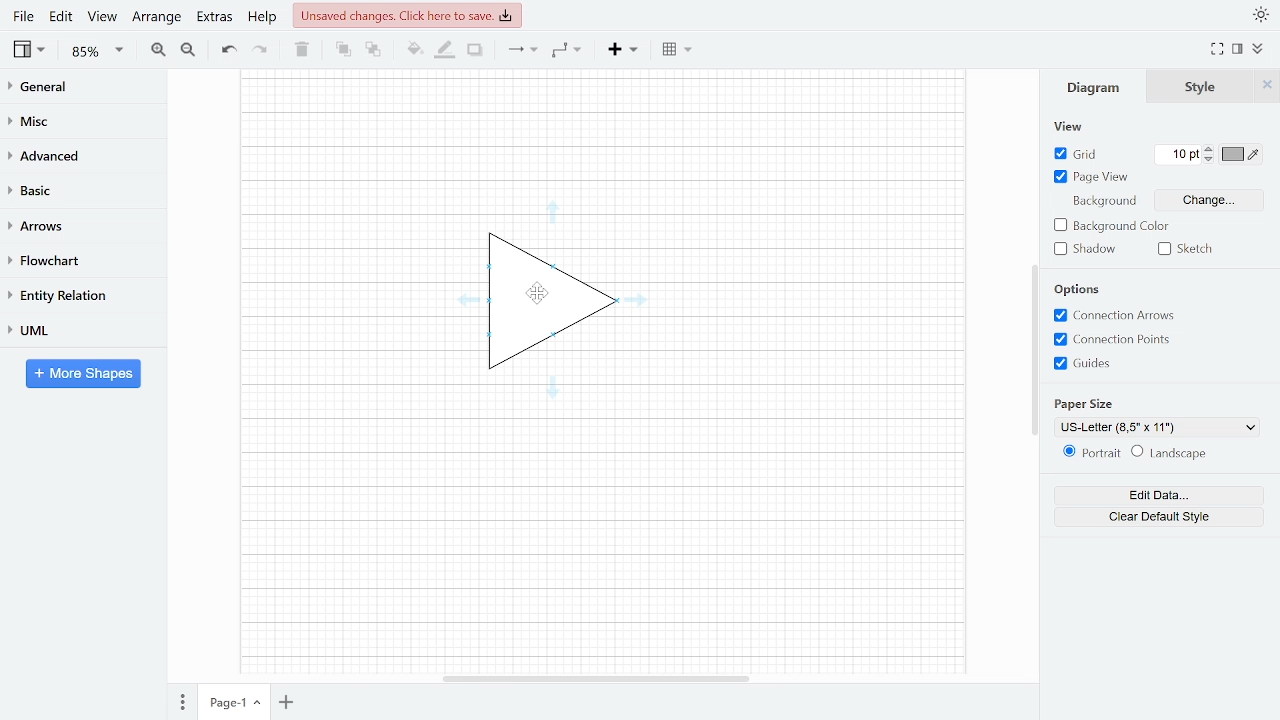 The image size is (1280, 720). Describe the element at coordinates (1217, 48) in the screenshot. I see `Fullscreen` at that location.